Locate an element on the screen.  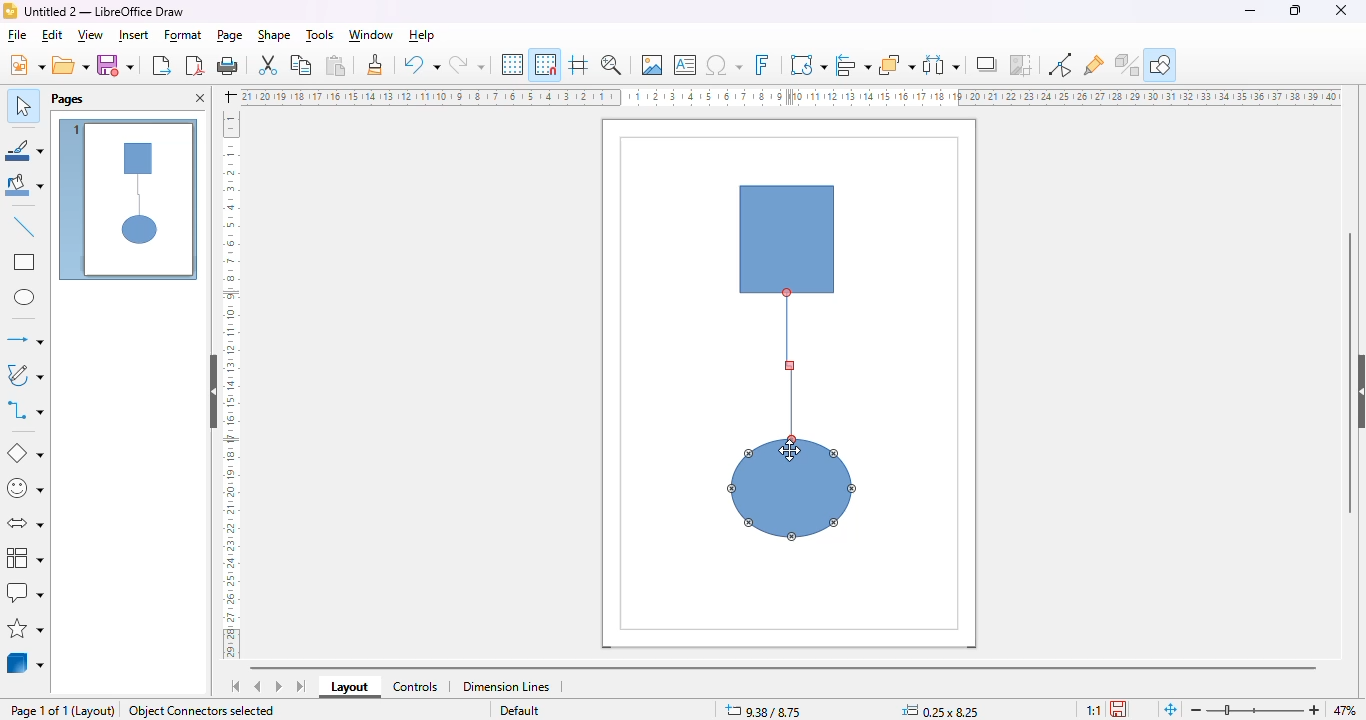
helplines while moving is located at coordinates (578, 65).